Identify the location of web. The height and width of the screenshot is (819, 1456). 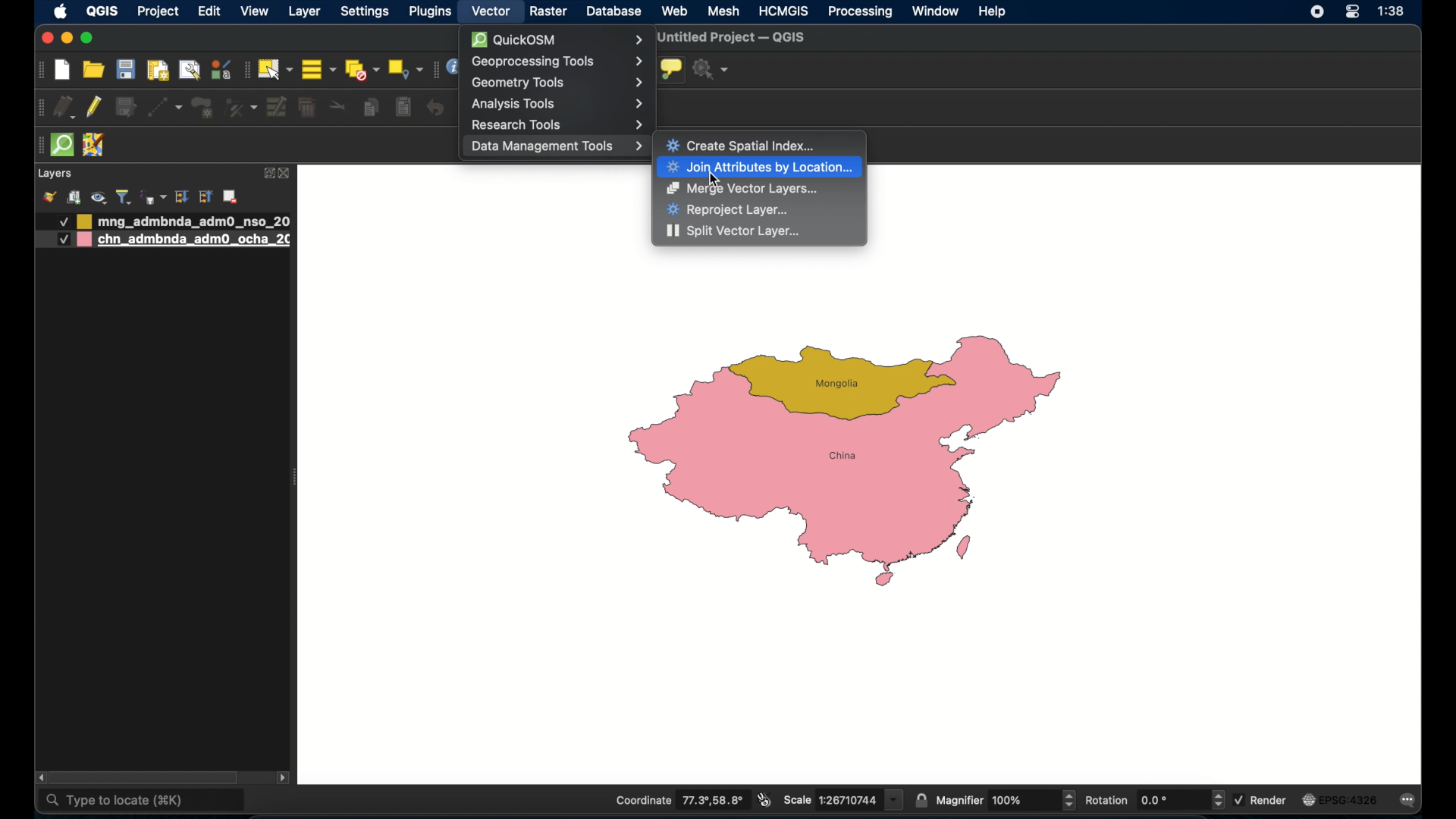
(675, 11).